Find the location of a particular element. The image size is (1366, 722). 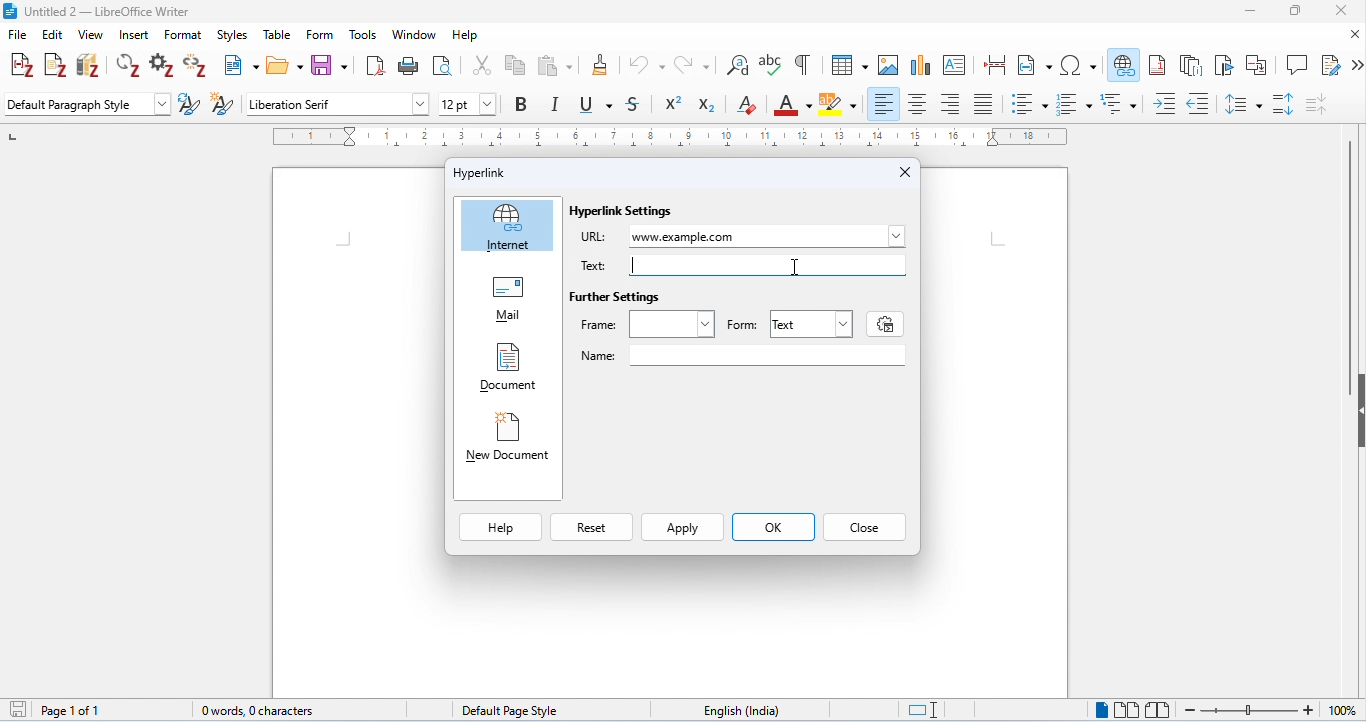

toggle formatting marks is located at coordinates (803, 64).